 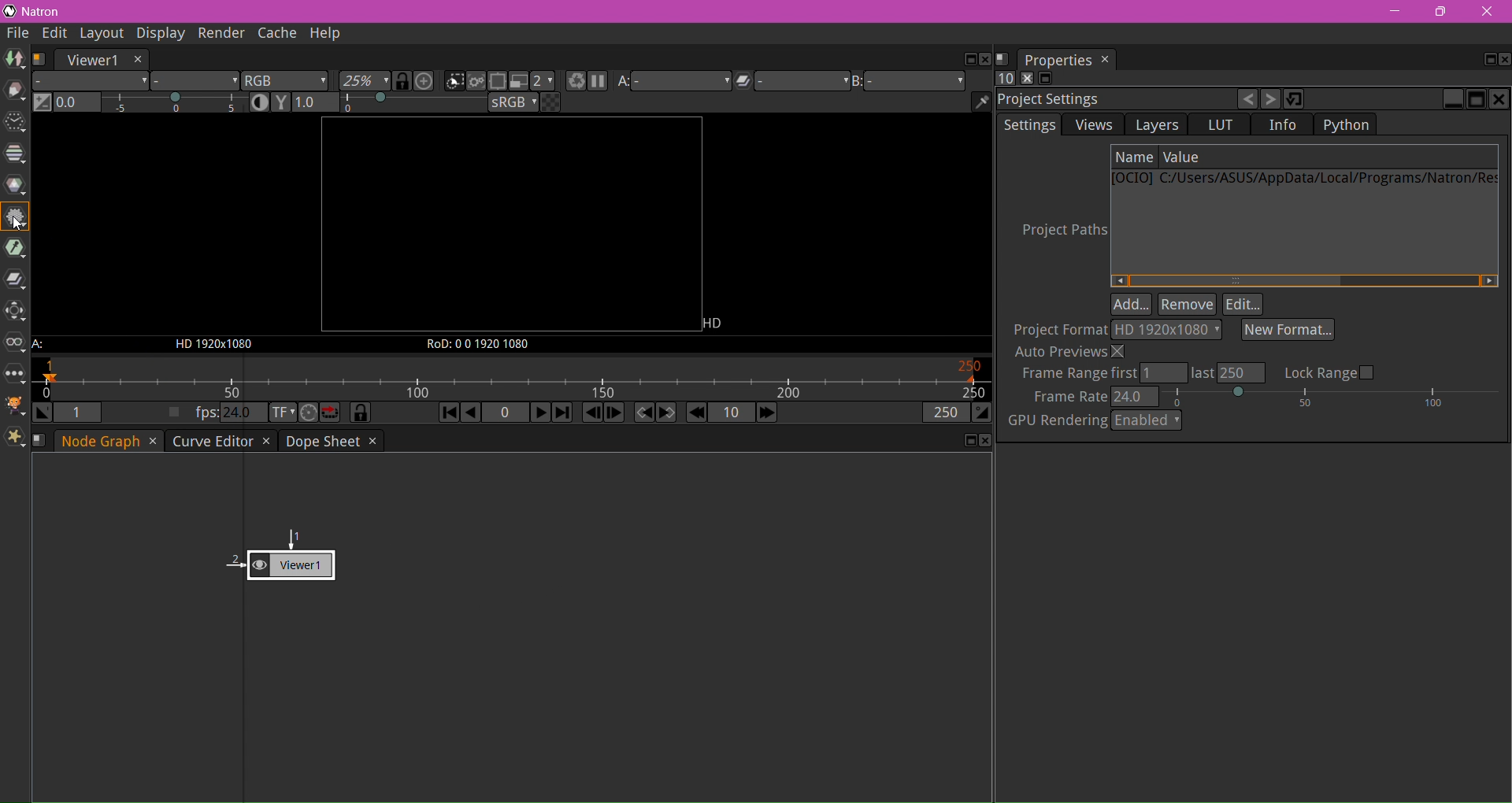 I want to click on Close Tab, so click(x=265, y=442).